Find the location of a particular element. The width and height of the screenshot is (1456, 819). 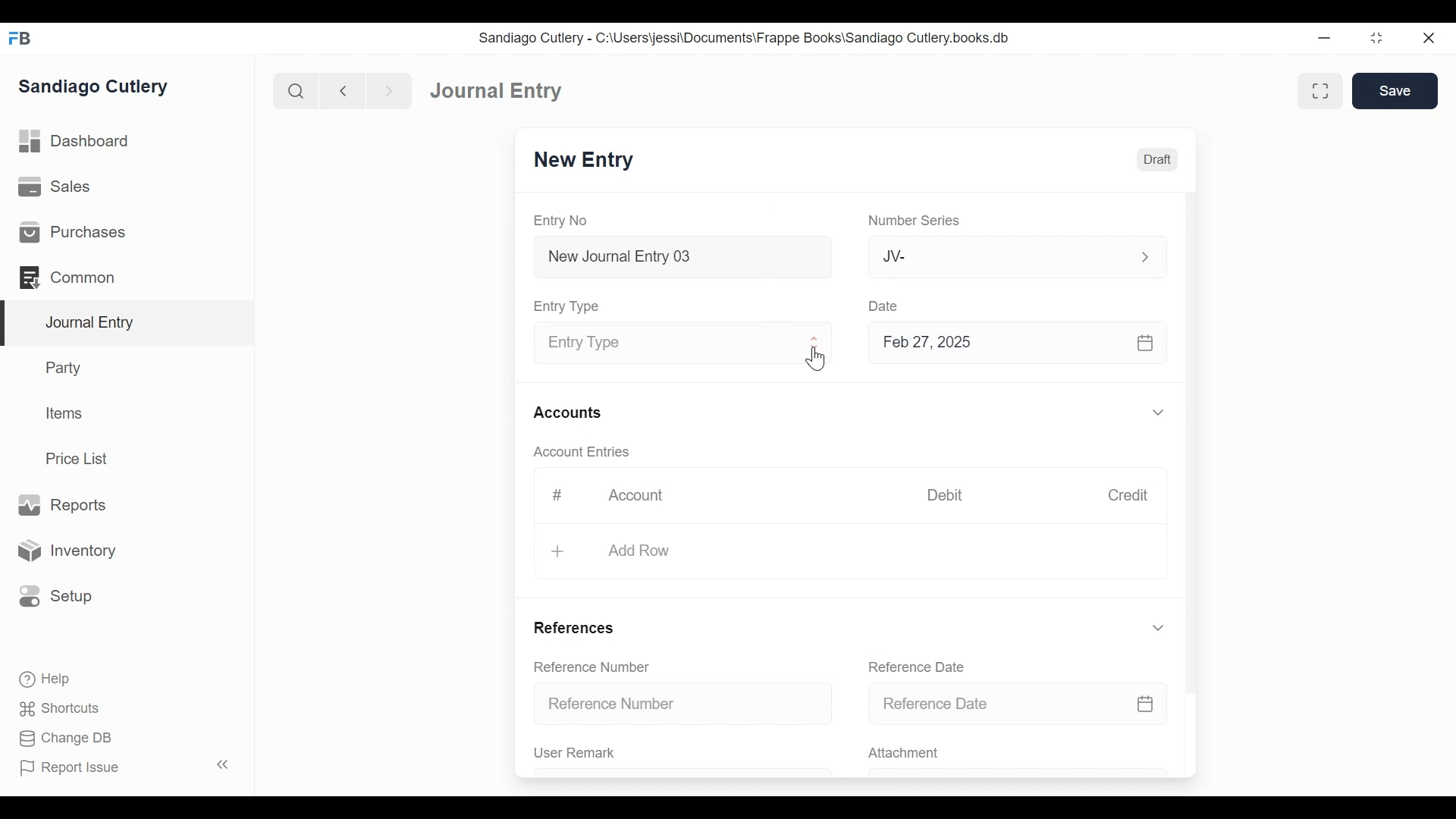

Expand is located at coordinates (816, 344).